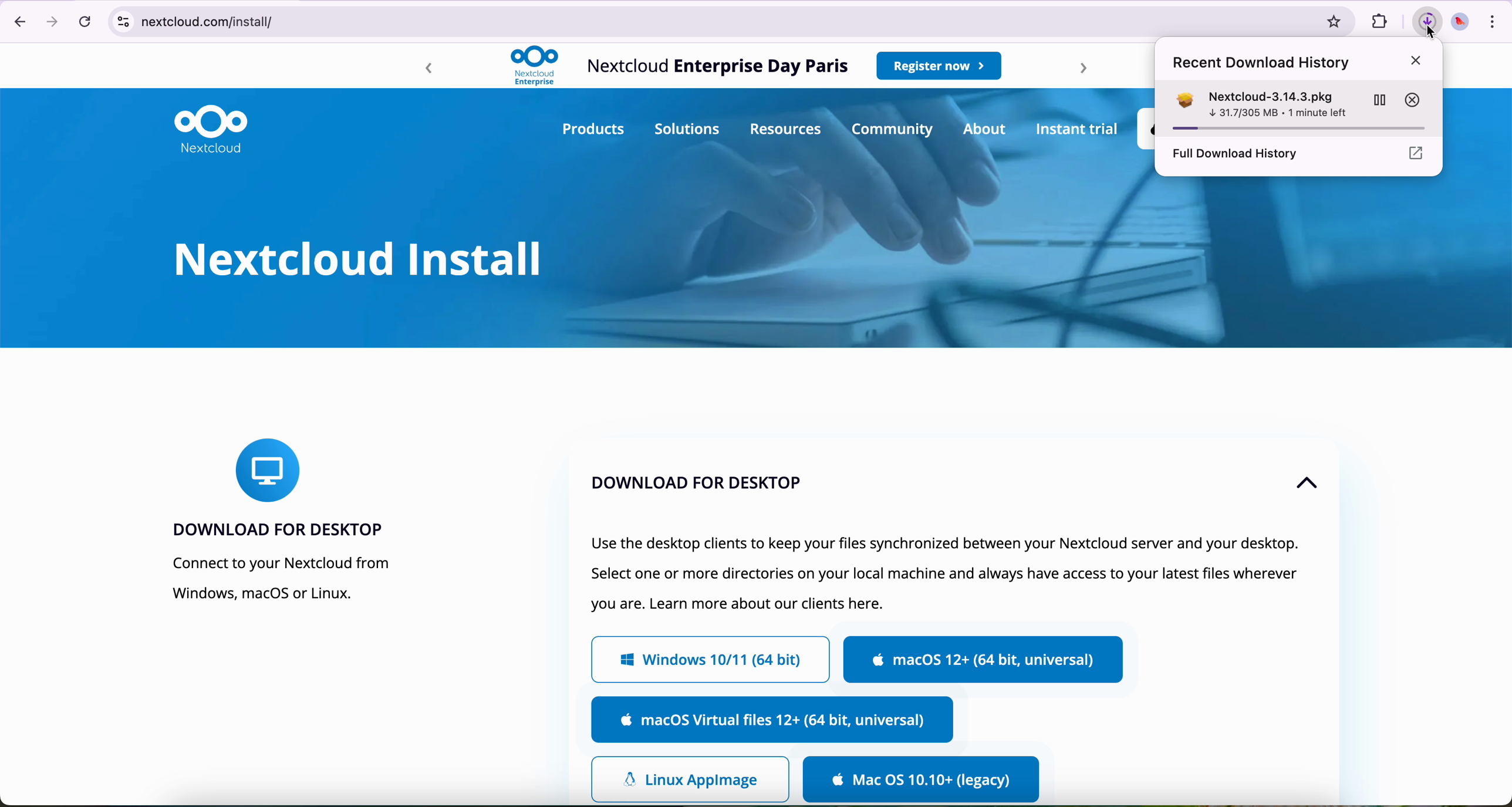  Describe the element at coordinates (727, 487) in the screenshot. I see `download for dekstop` at that location.